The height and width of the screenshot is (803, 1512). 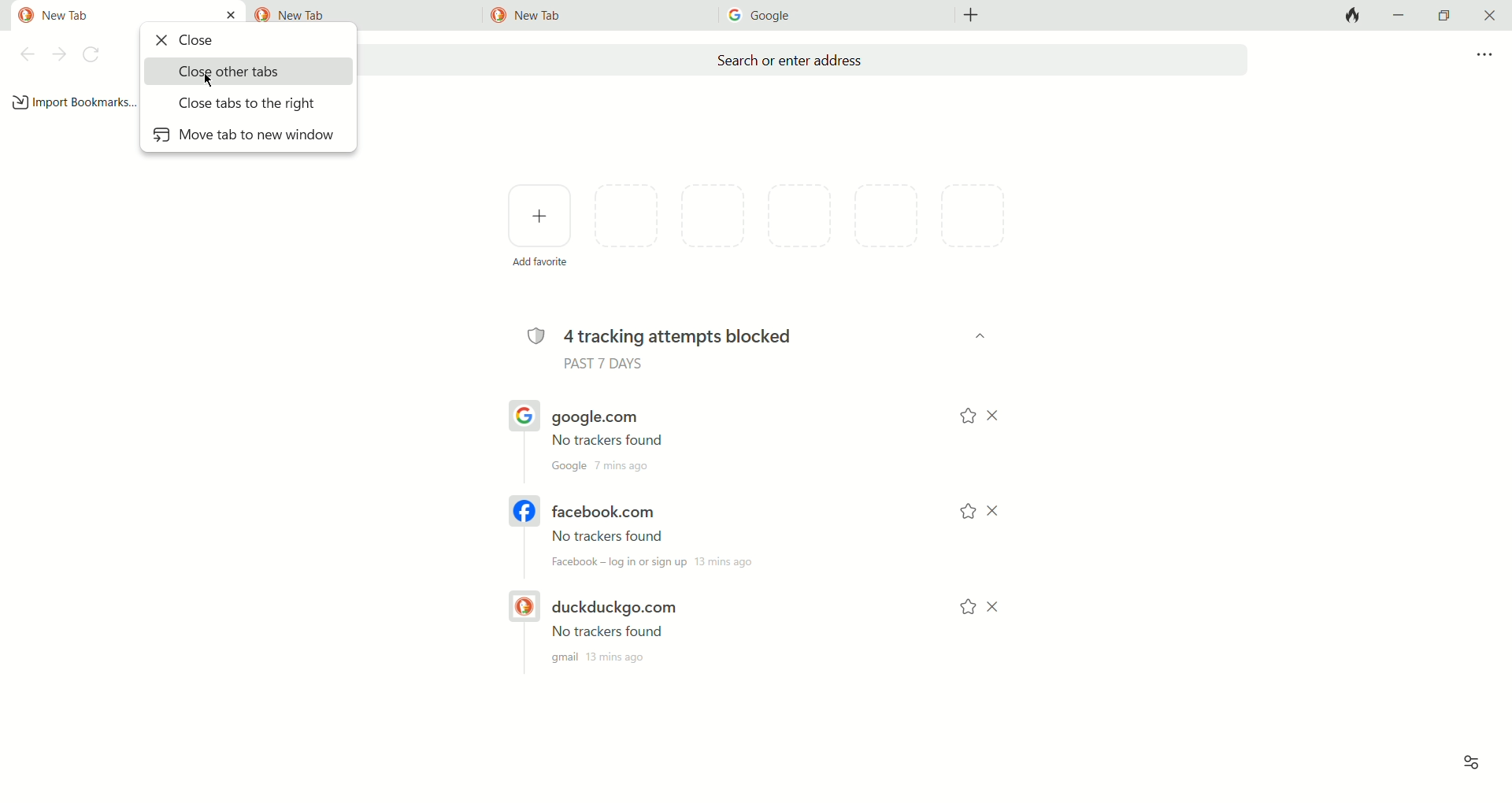 I want to click on view options, so click(x=1470, y=764).